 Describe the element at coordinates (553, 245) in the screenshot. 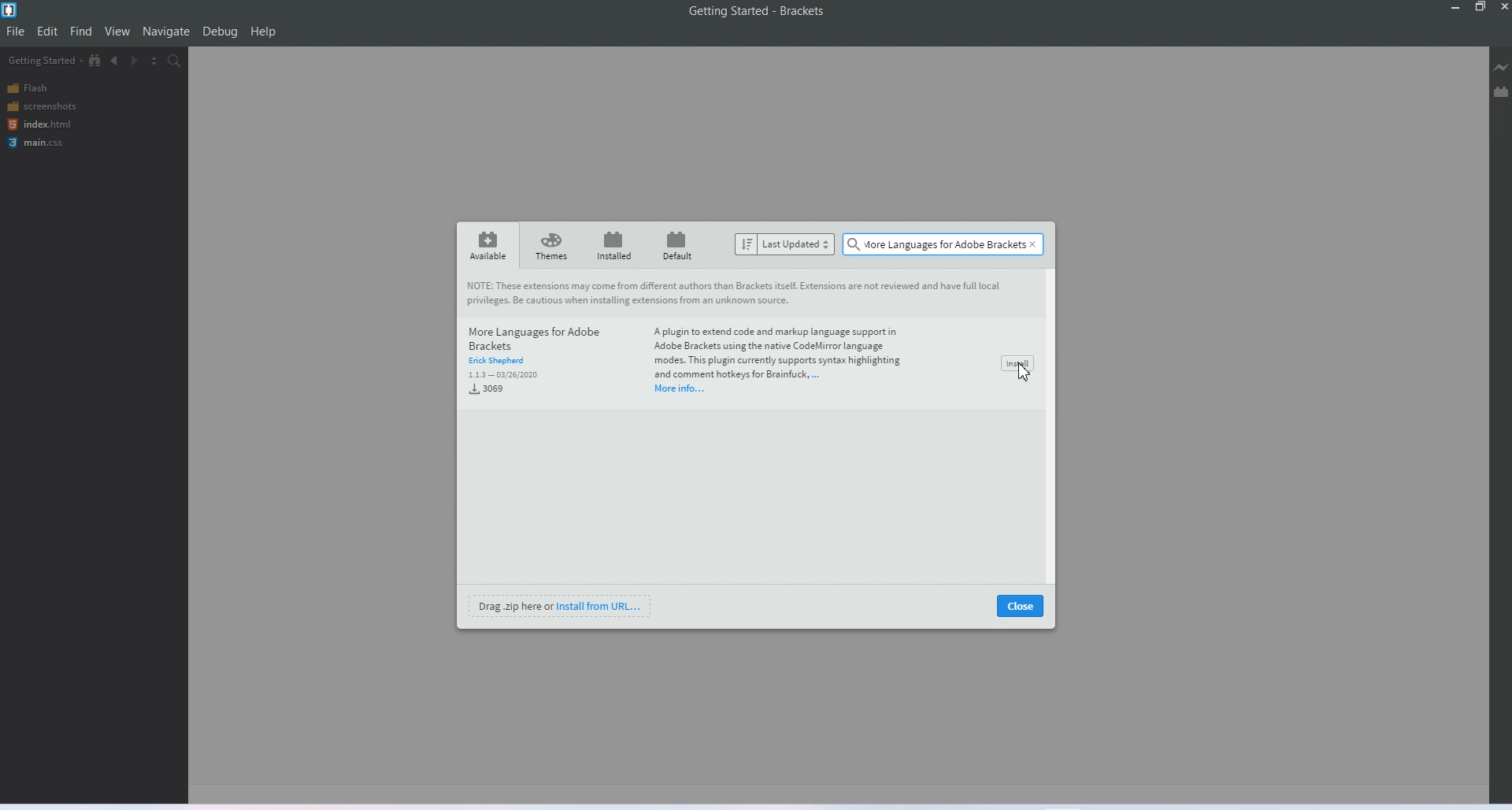

I see `theme` at that location.